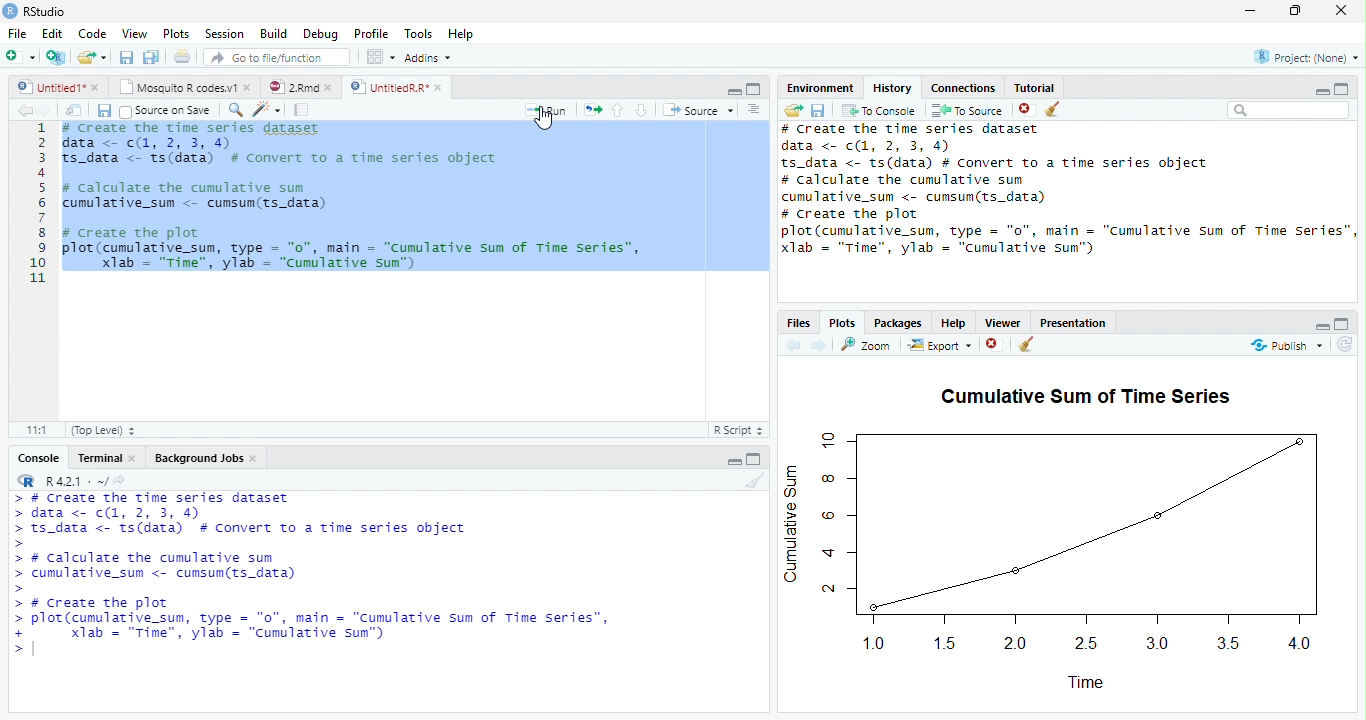 This screenshot has width=1366, height=720. What do you see at coordinates (843, 322) in the screenshot?
I see `Plots` at bounding box center [843, 322].